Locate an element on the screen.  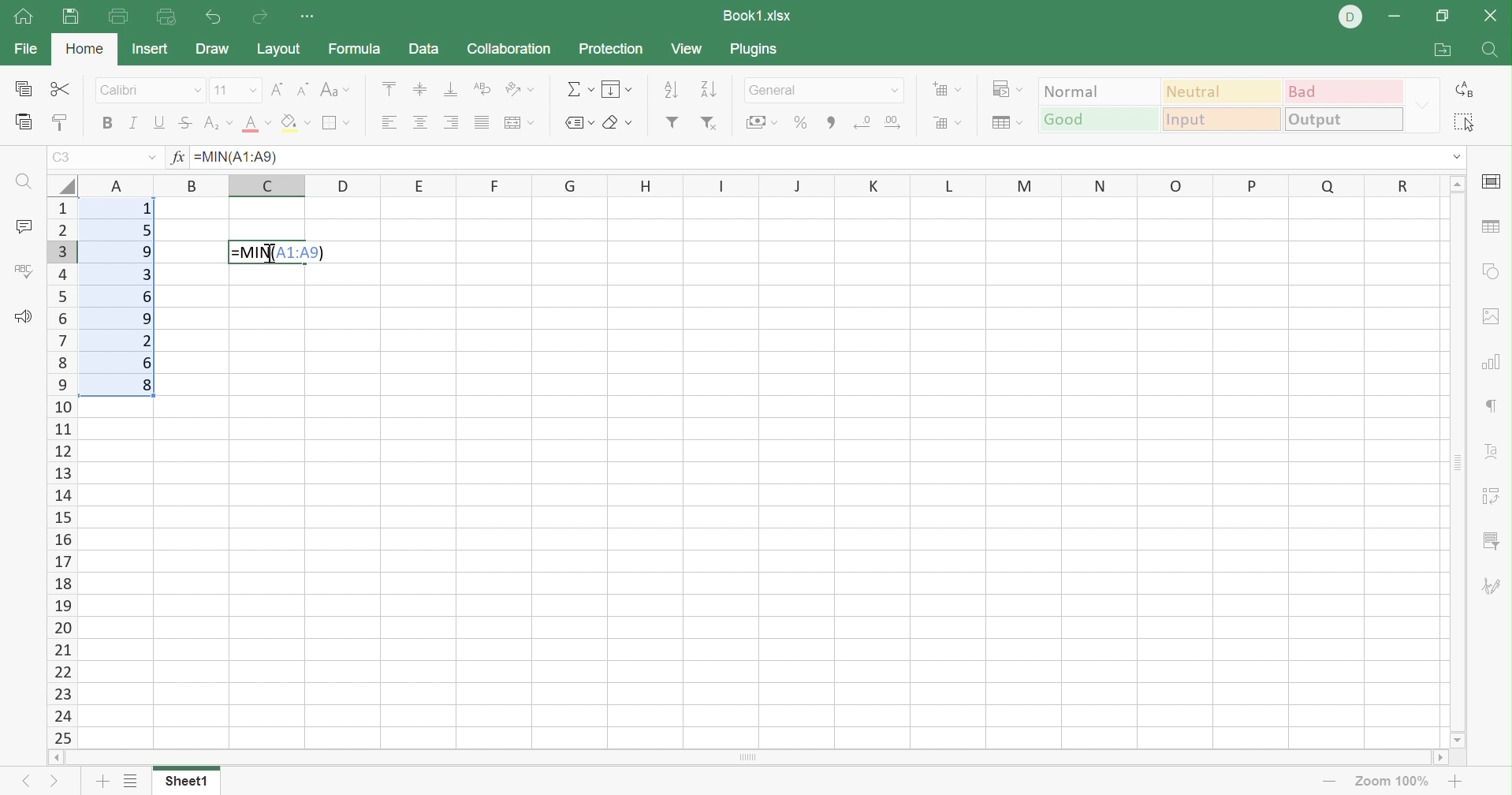
Increment font size is located at coordinates (277, 90).